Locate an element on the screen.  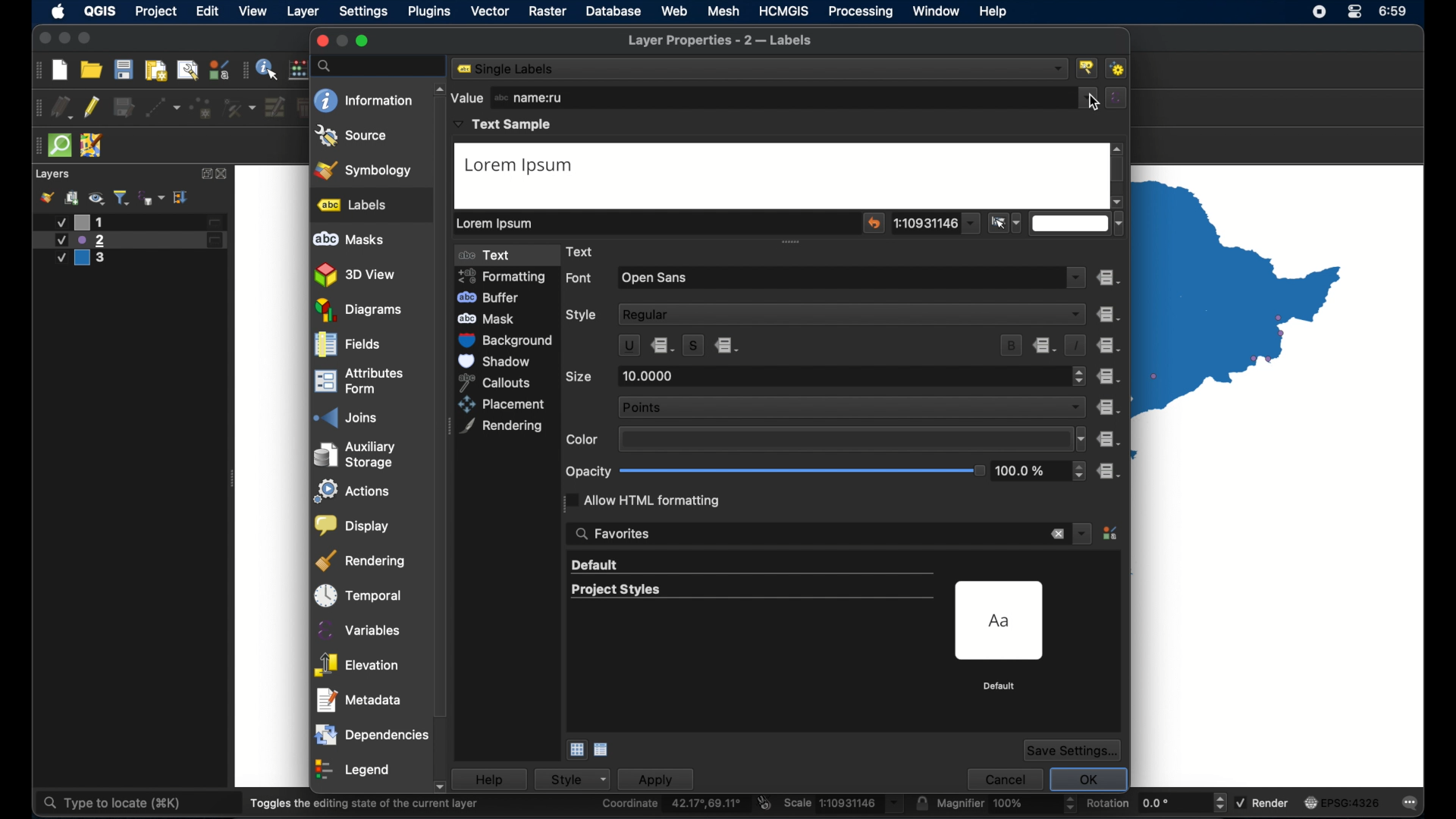
dropdown is located at coordinates (1078, 276).